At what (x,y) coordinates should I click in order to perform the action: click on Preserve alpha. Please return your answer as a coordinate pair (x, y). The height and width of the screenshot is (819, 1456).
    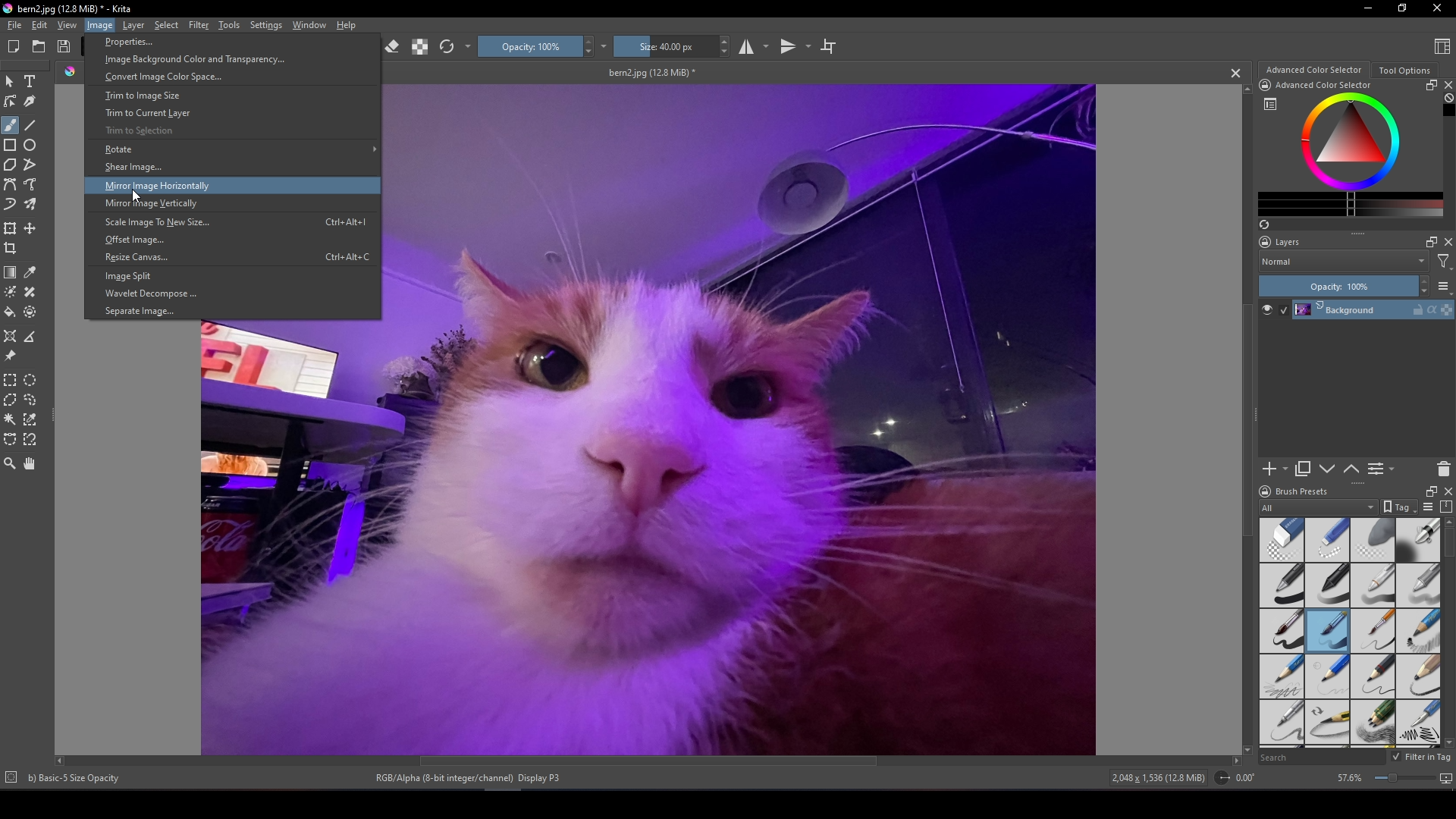
    Looking at the image, I should click on (420, 46).